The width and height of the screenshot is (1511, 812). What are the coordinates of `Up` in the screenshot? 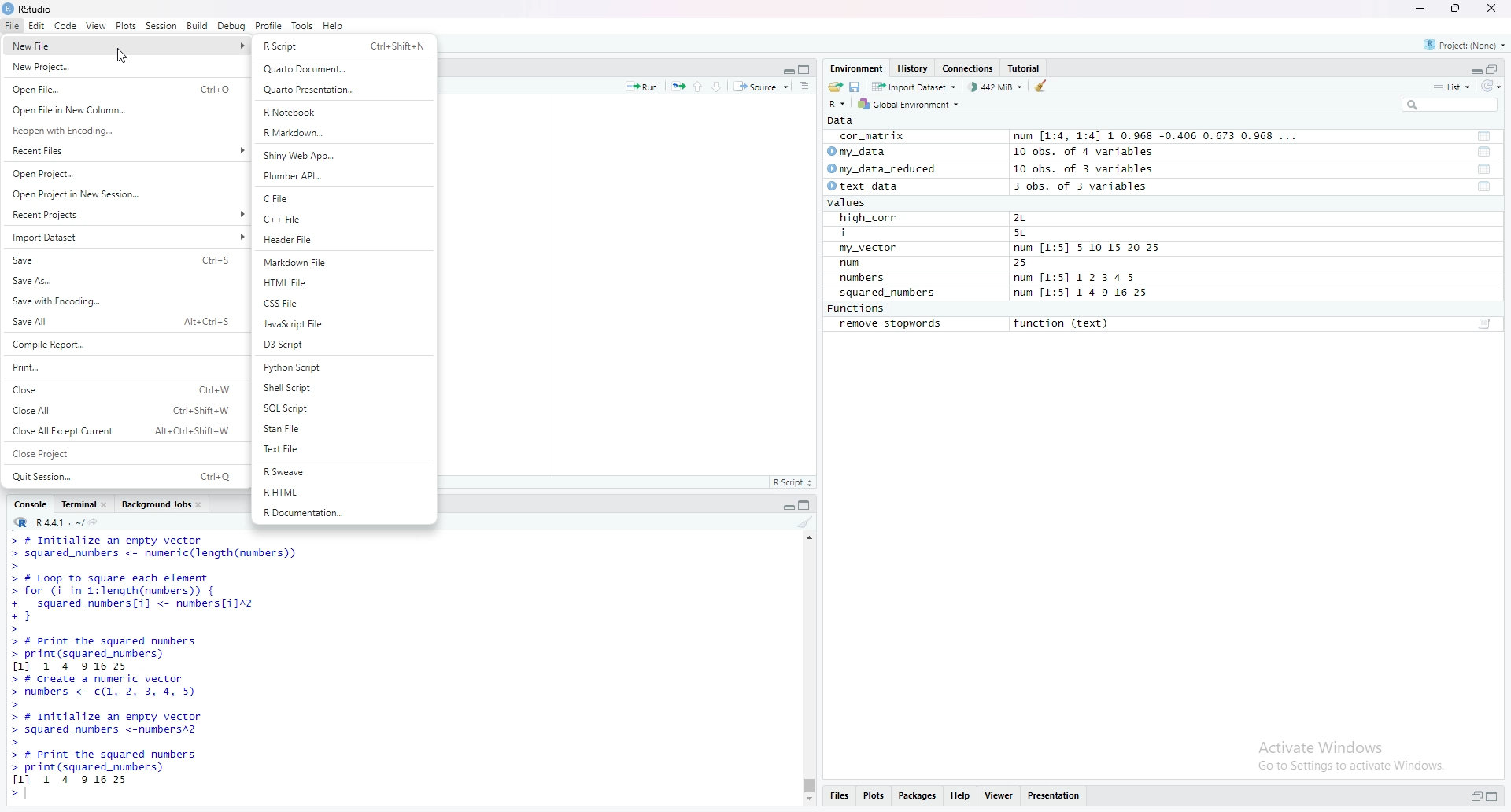 It's located at (702, 86).